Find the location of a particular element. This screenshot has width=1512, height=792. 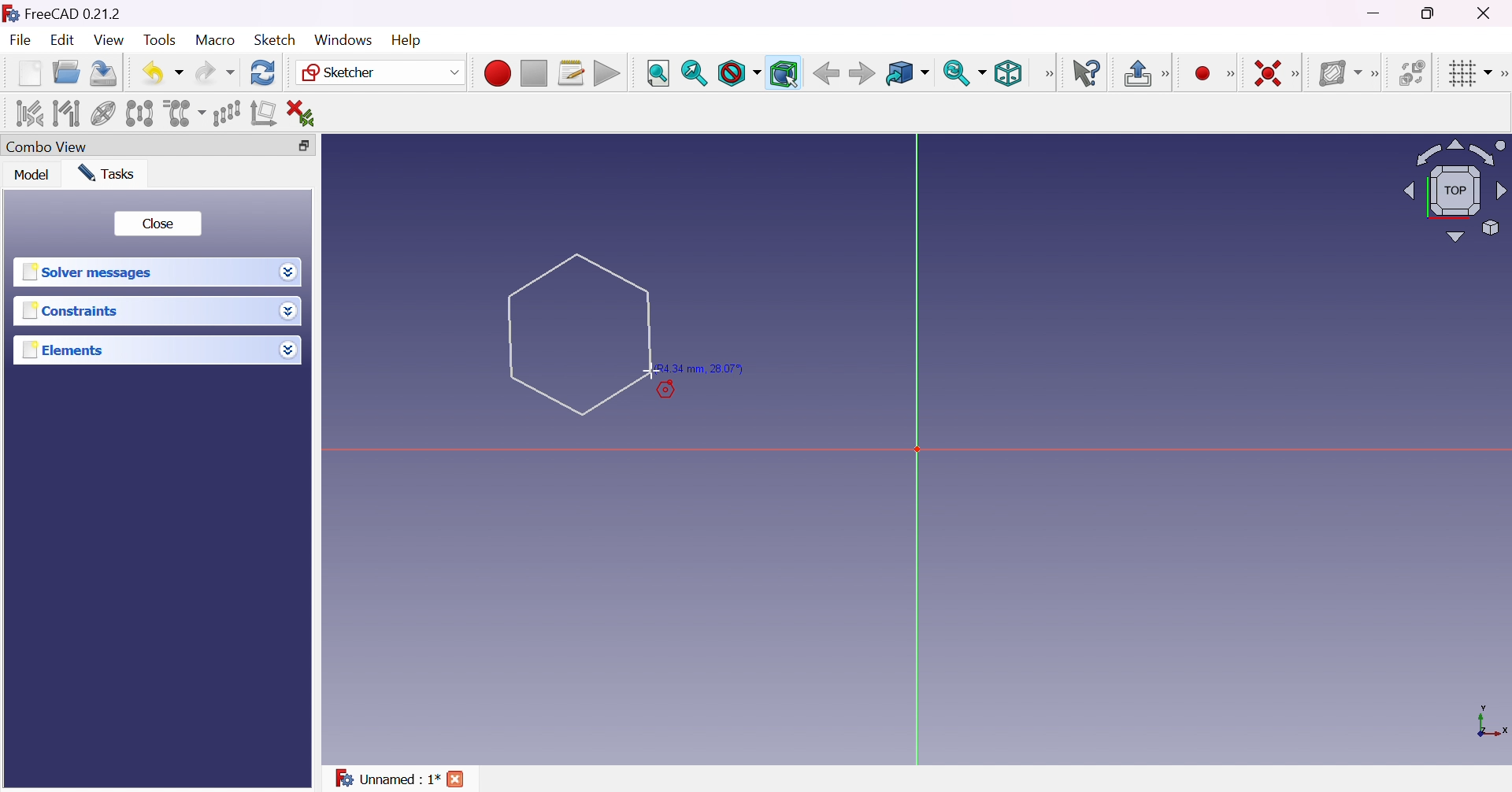

Delete all constraints is located at coordinates (306, 114).